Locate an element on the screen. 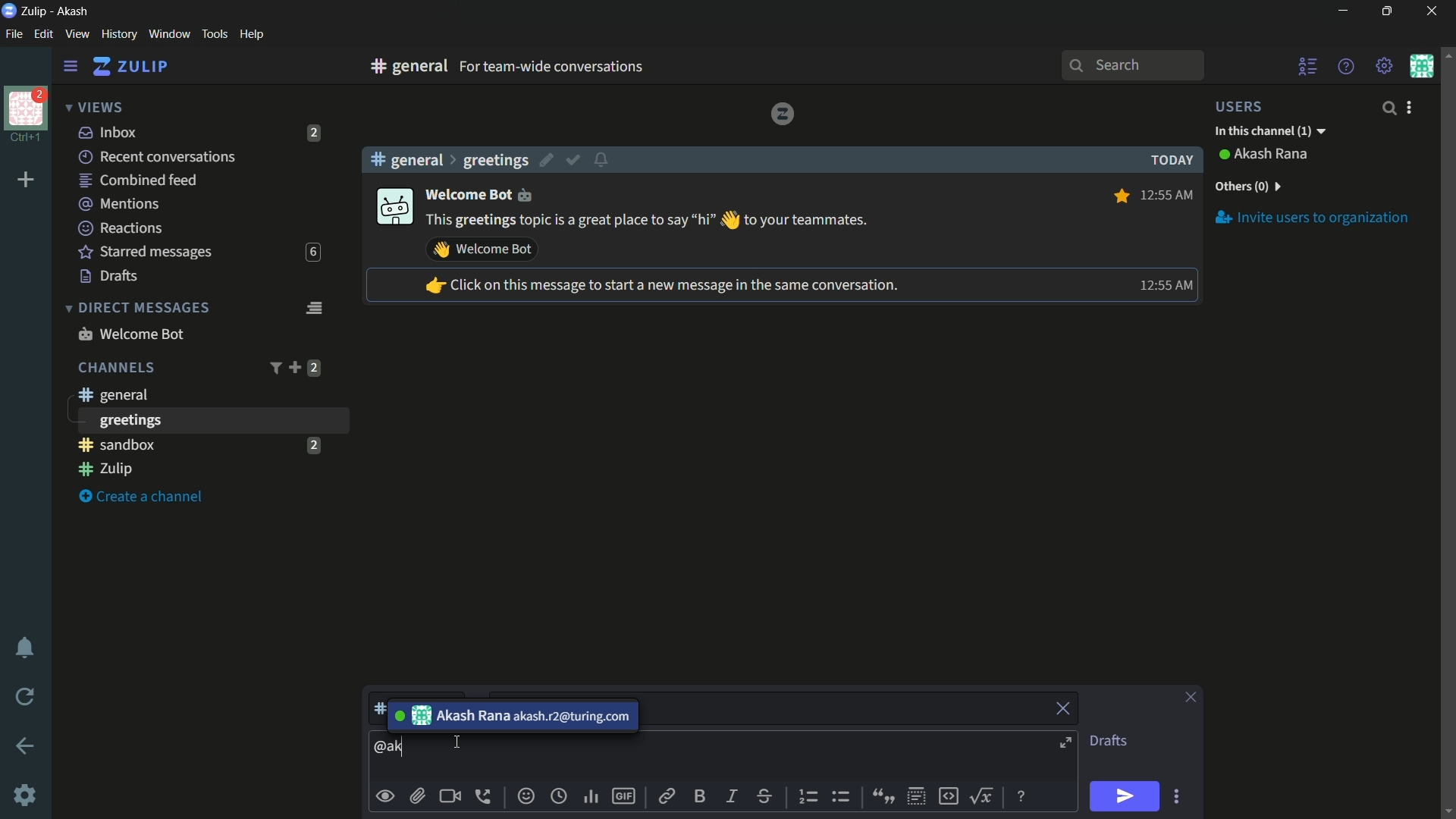 This screenshot has height=819, width=1456. edit menu is located at coordinates (43, 34).